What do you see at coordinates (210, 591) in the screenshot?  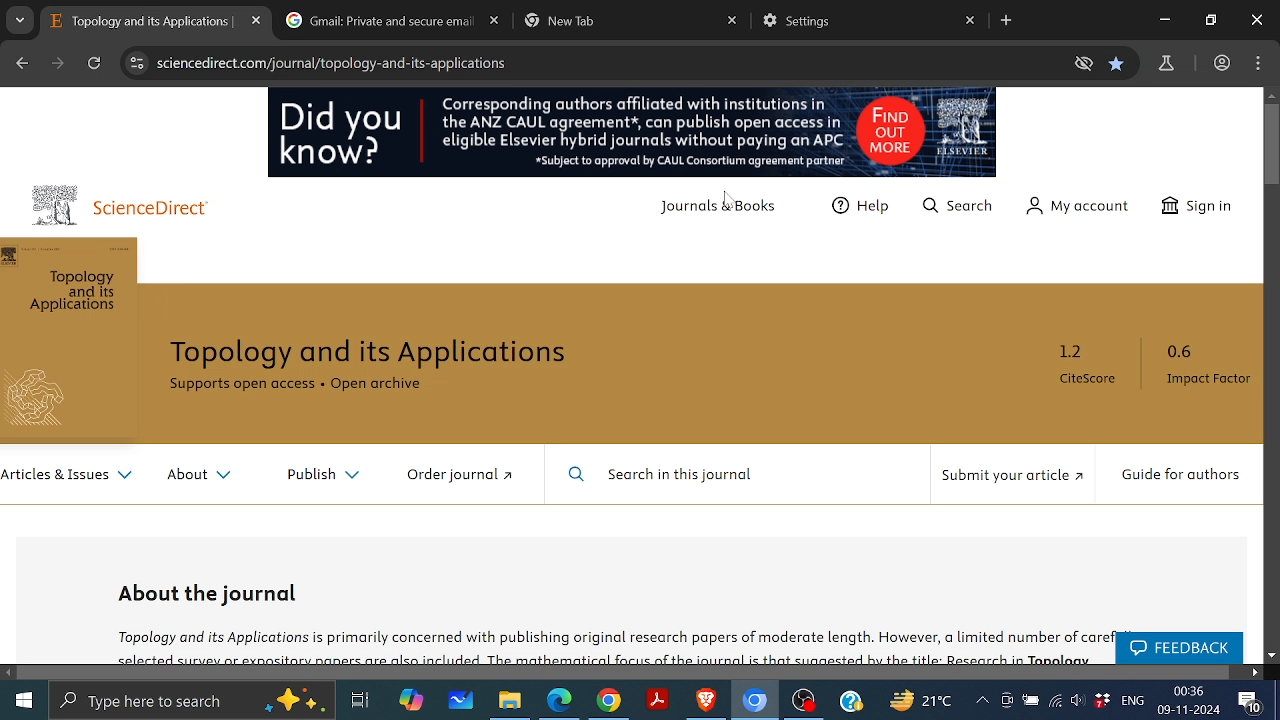 I see `About the journal` at bounding box center [210, 591].